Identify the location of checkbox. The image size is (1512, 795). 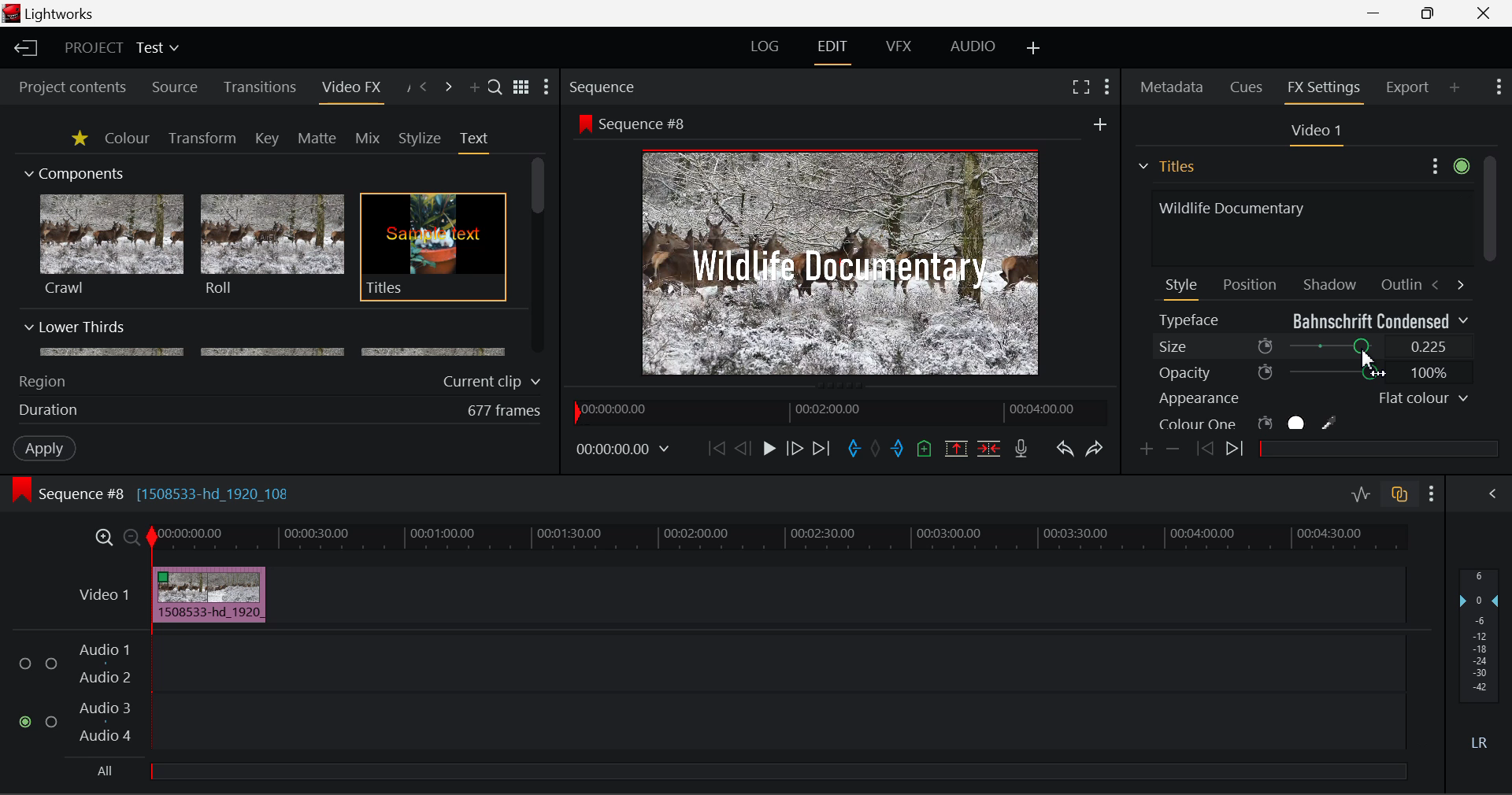
(52, 665).